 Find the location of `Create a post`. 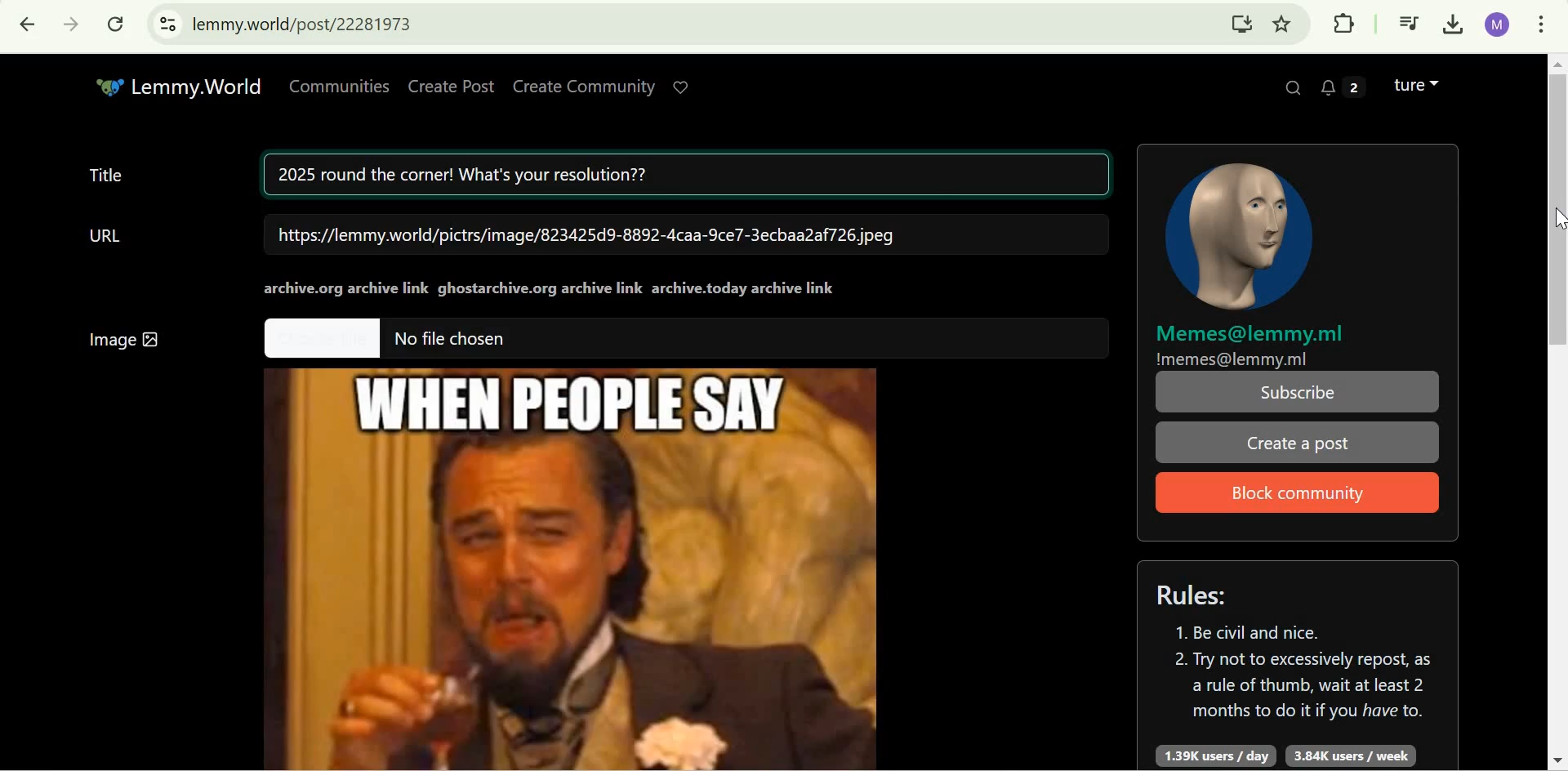

Create a post is located at coordinates (1295, 443).